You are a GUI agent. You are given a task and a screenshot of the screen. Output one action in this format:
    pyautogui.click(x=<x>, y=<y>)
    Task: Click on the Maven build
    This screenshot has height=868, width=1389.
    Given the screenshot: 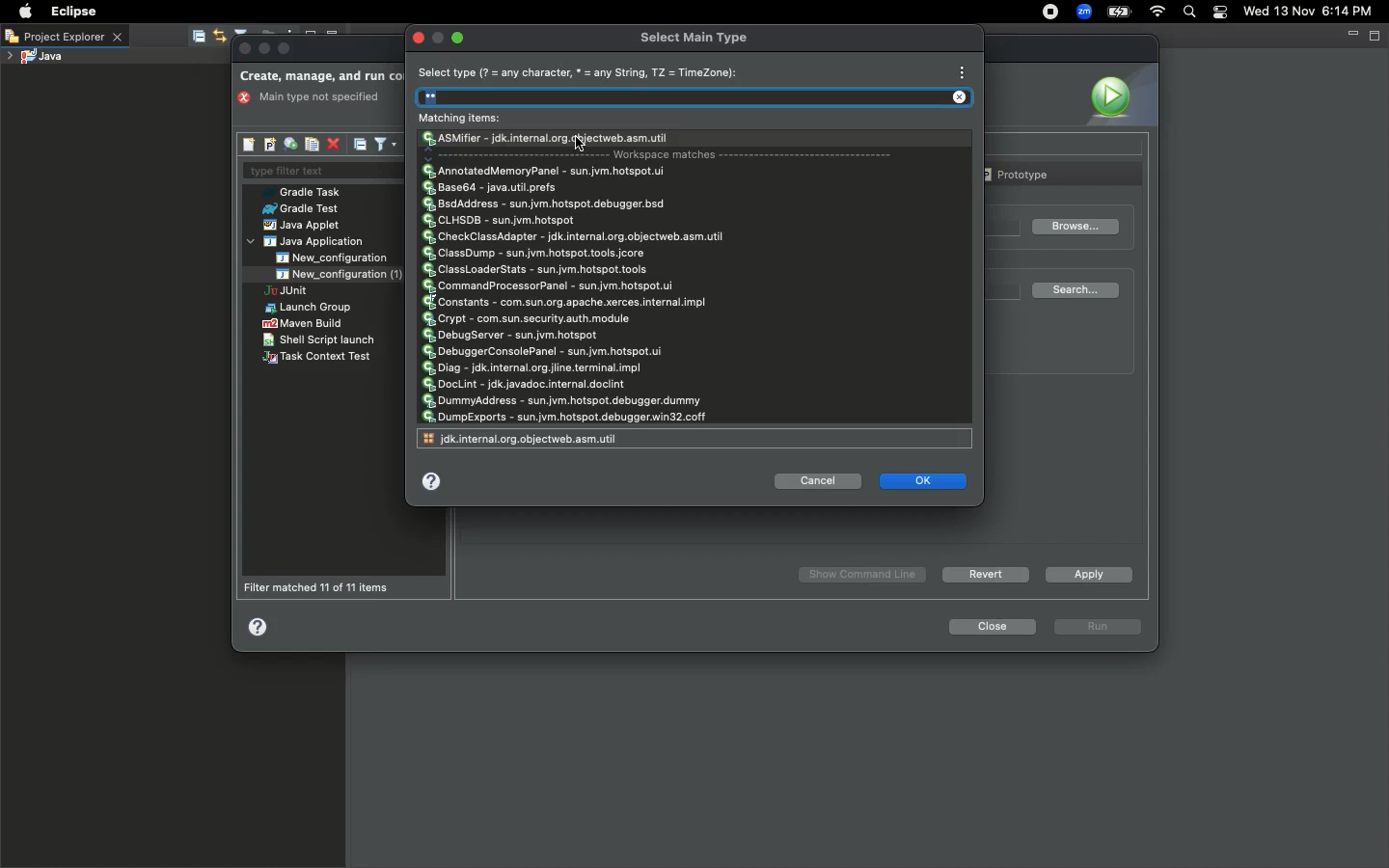 What is the action you would take?
    pyautogui.click(x=302, y=323)
    